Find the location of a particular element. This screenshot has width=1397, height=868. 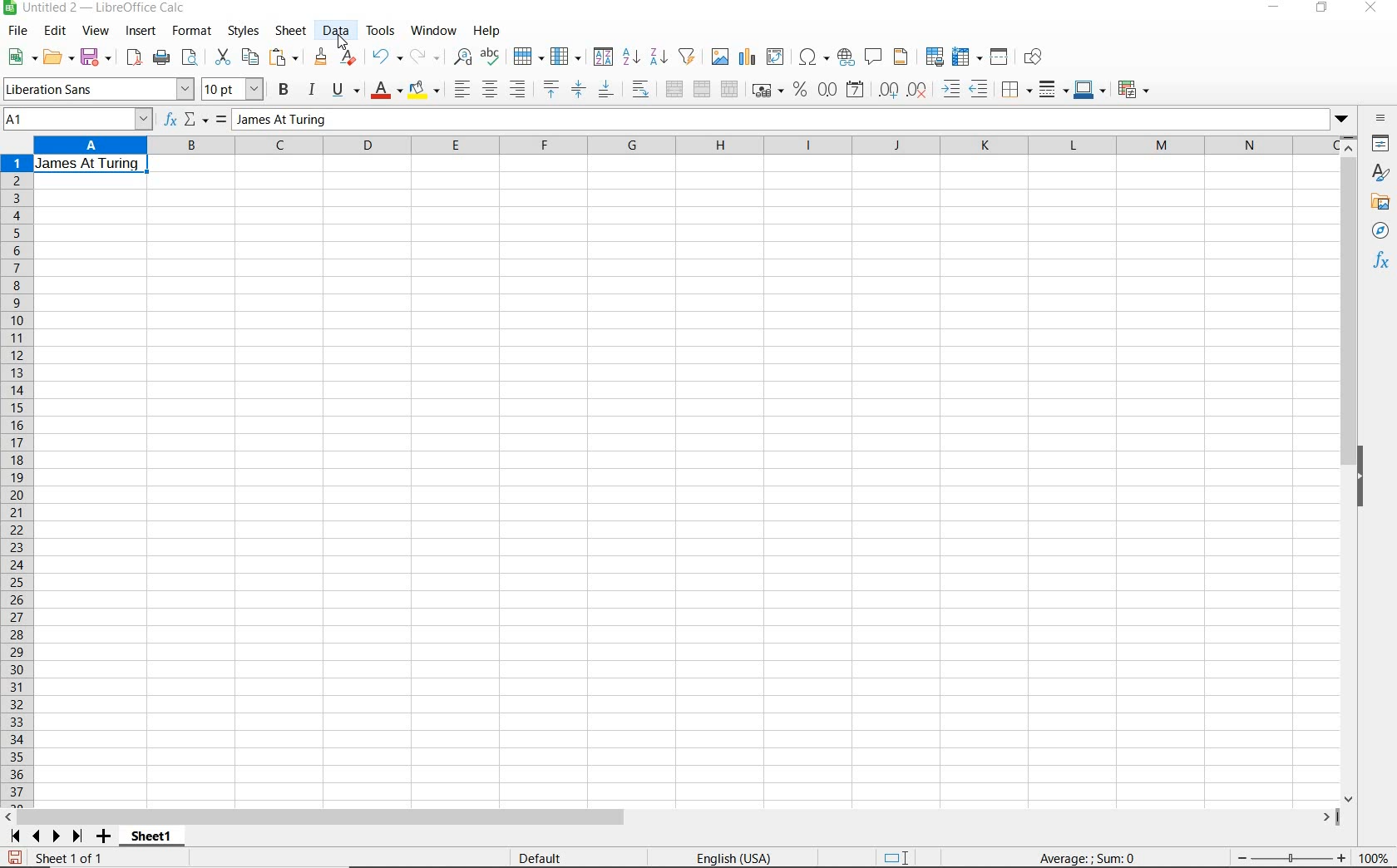

view is located at coordinates (96, 31).